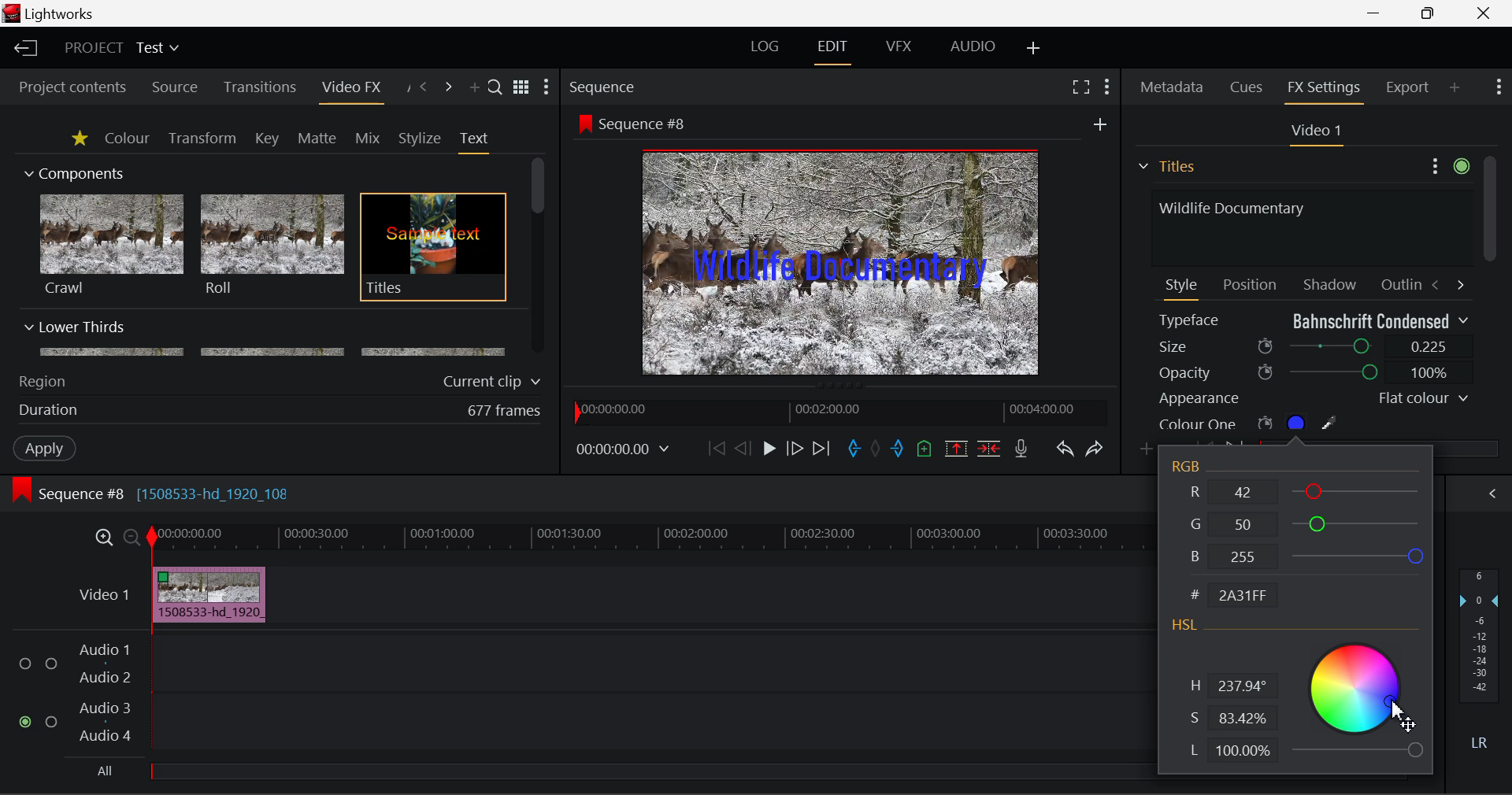 The image size is (1512, 795). I want to click on Play, so click(769, 448).